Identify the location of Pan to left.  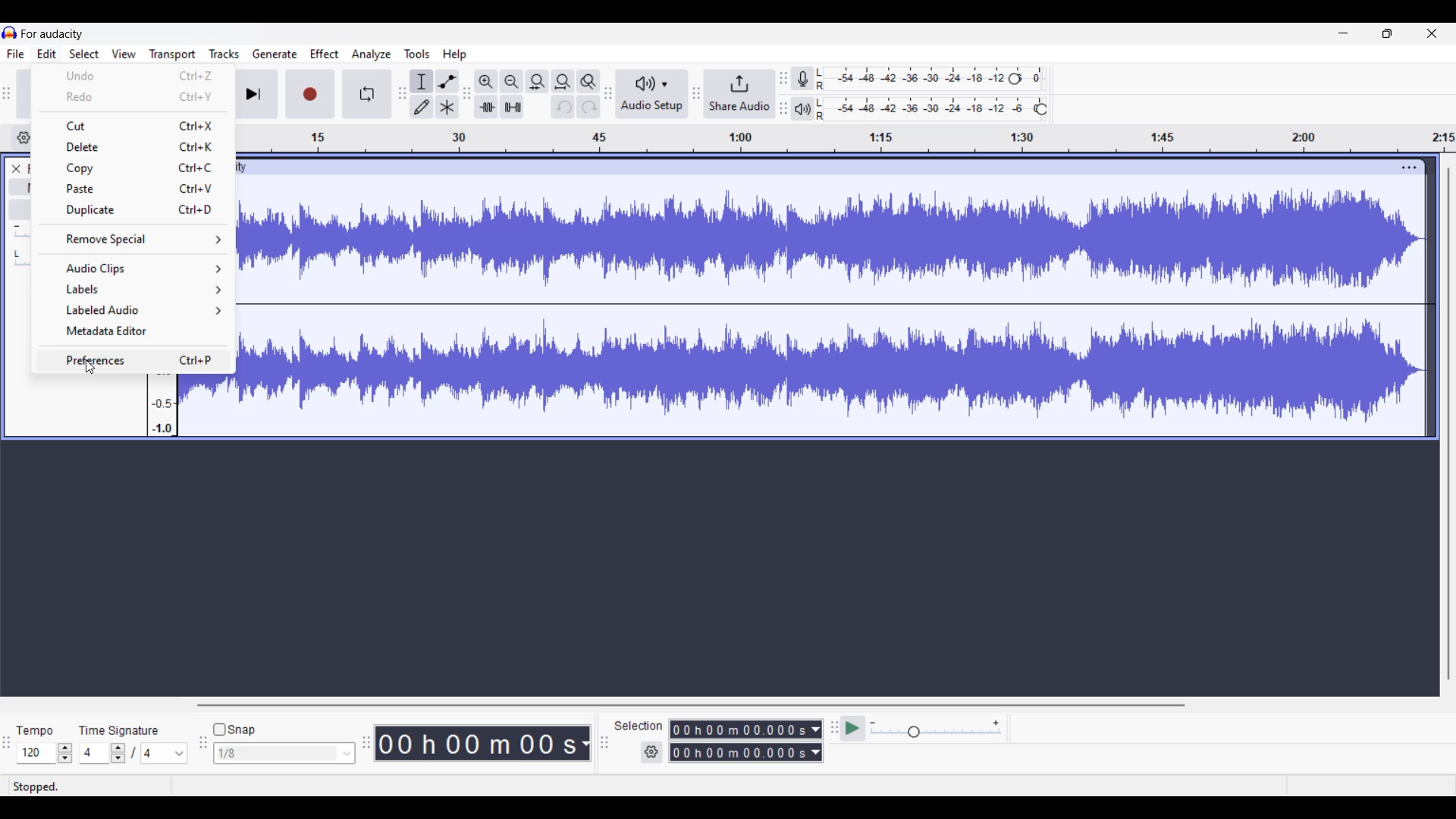
(17, 254).